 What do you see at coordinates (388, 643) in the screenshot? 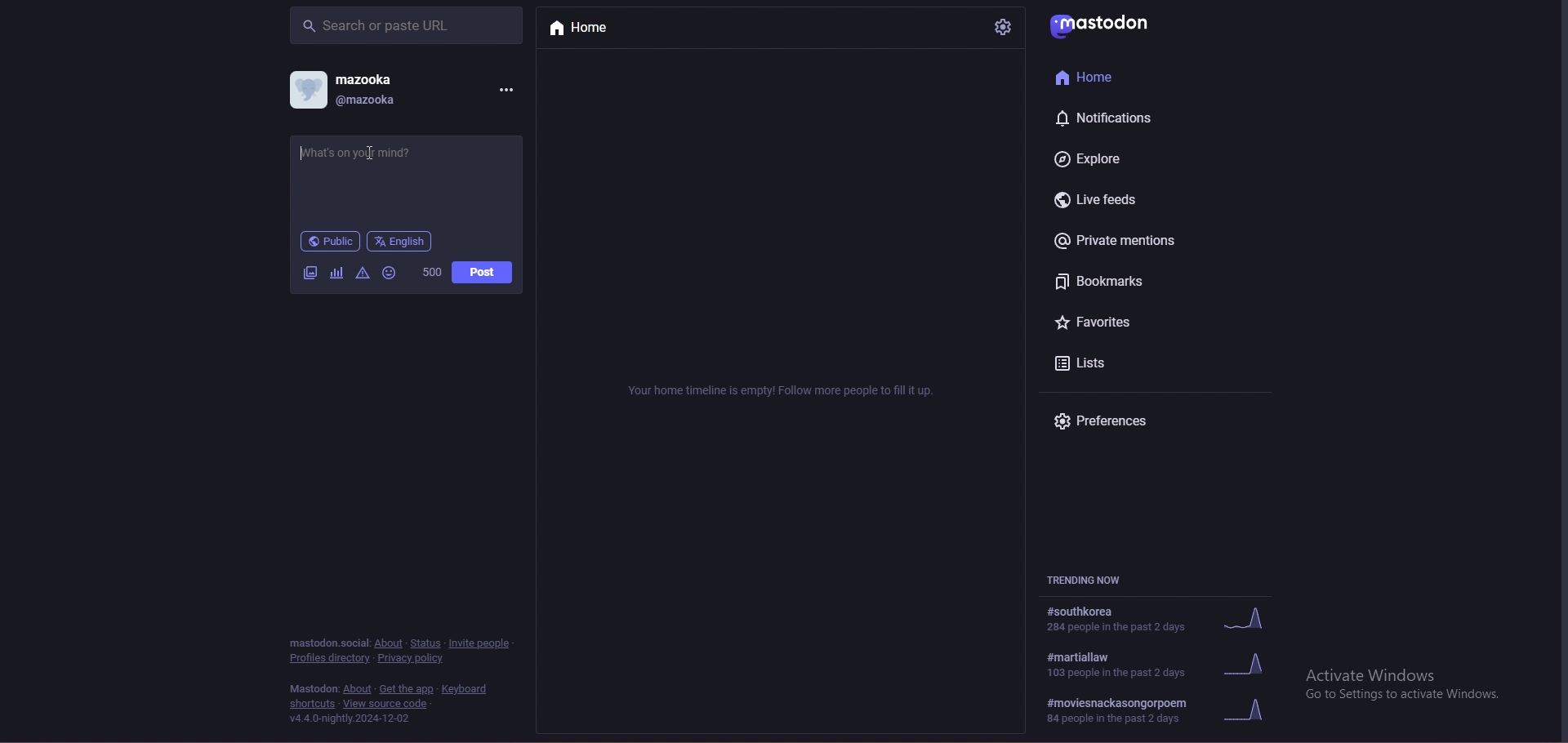
I see `about` at bounding box center [388, 643].